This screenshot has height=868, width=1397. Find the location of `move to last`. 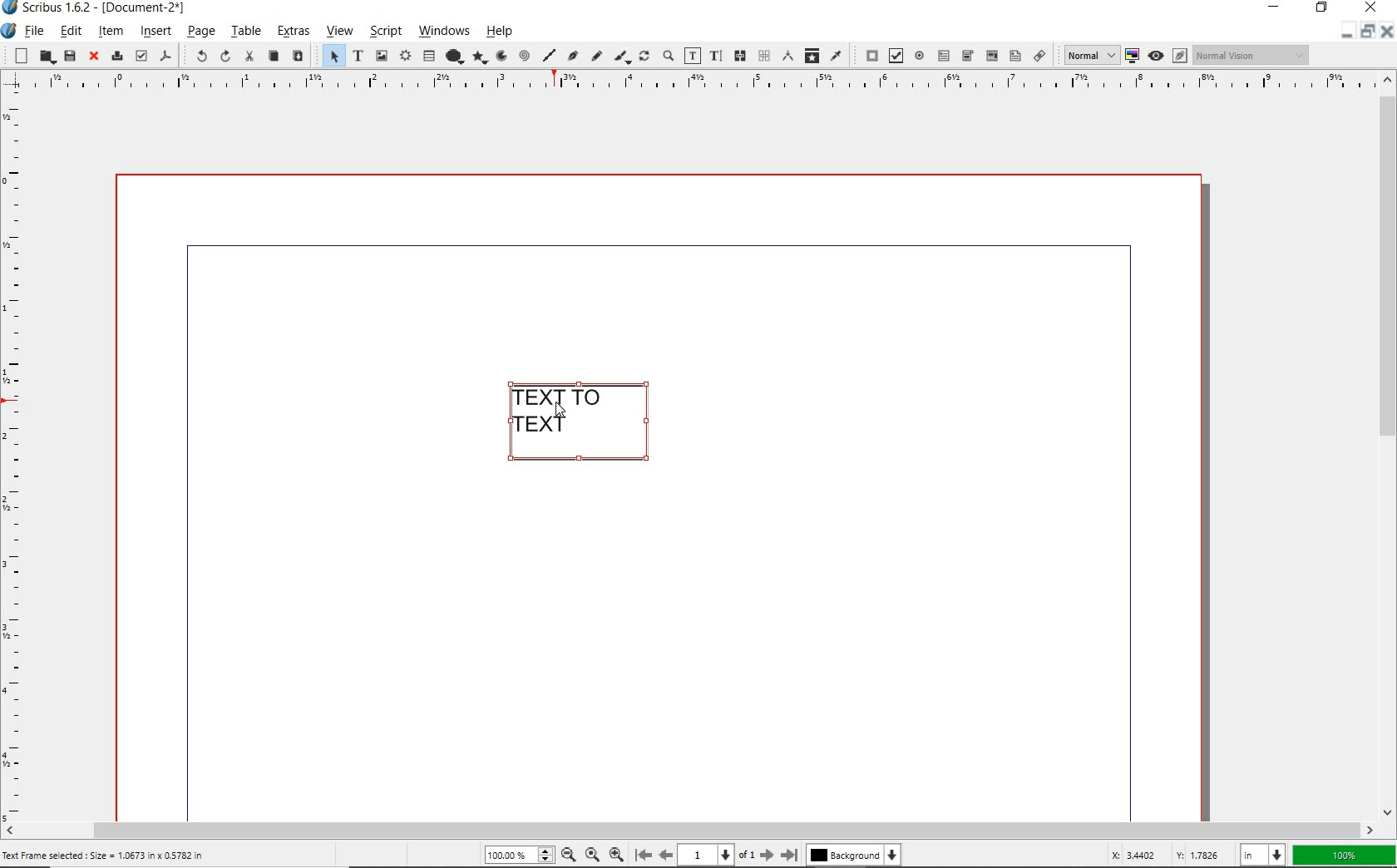

move to last is located at coordinates (792, 856).